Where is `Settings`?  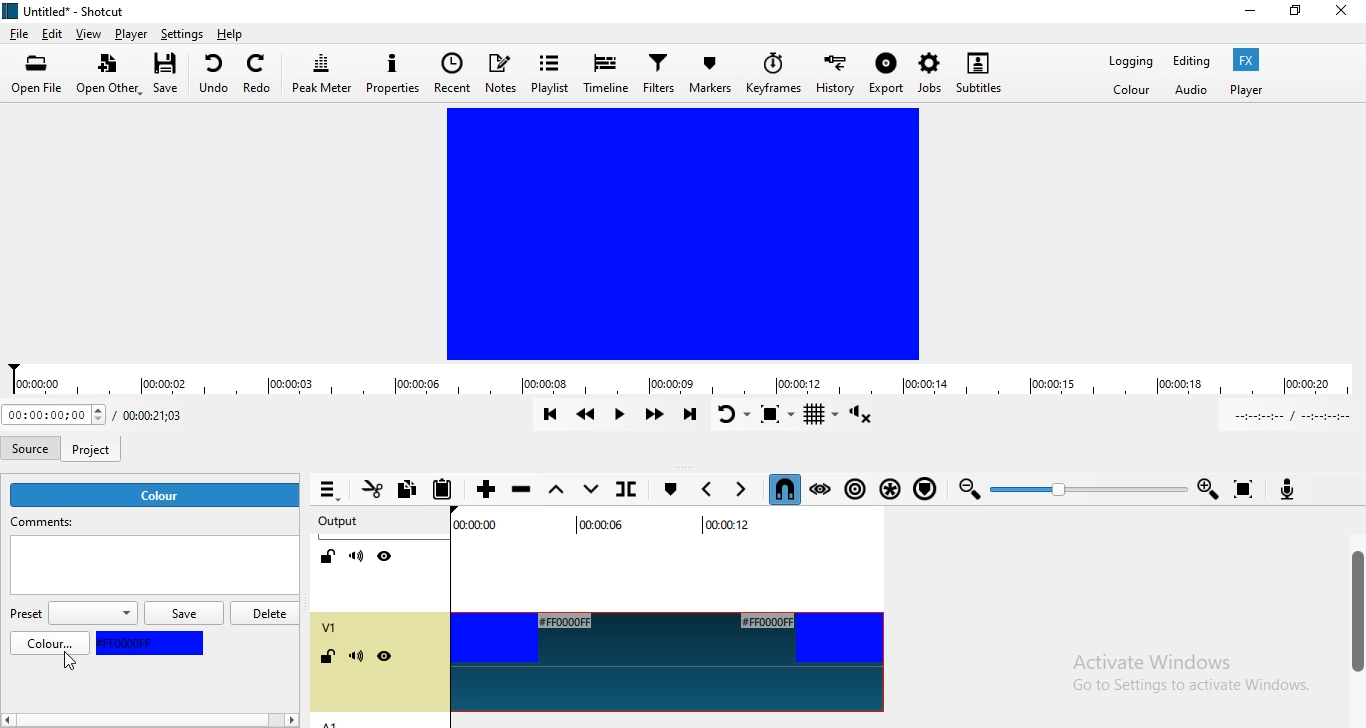 Settings is located at coordinates (184, 35).